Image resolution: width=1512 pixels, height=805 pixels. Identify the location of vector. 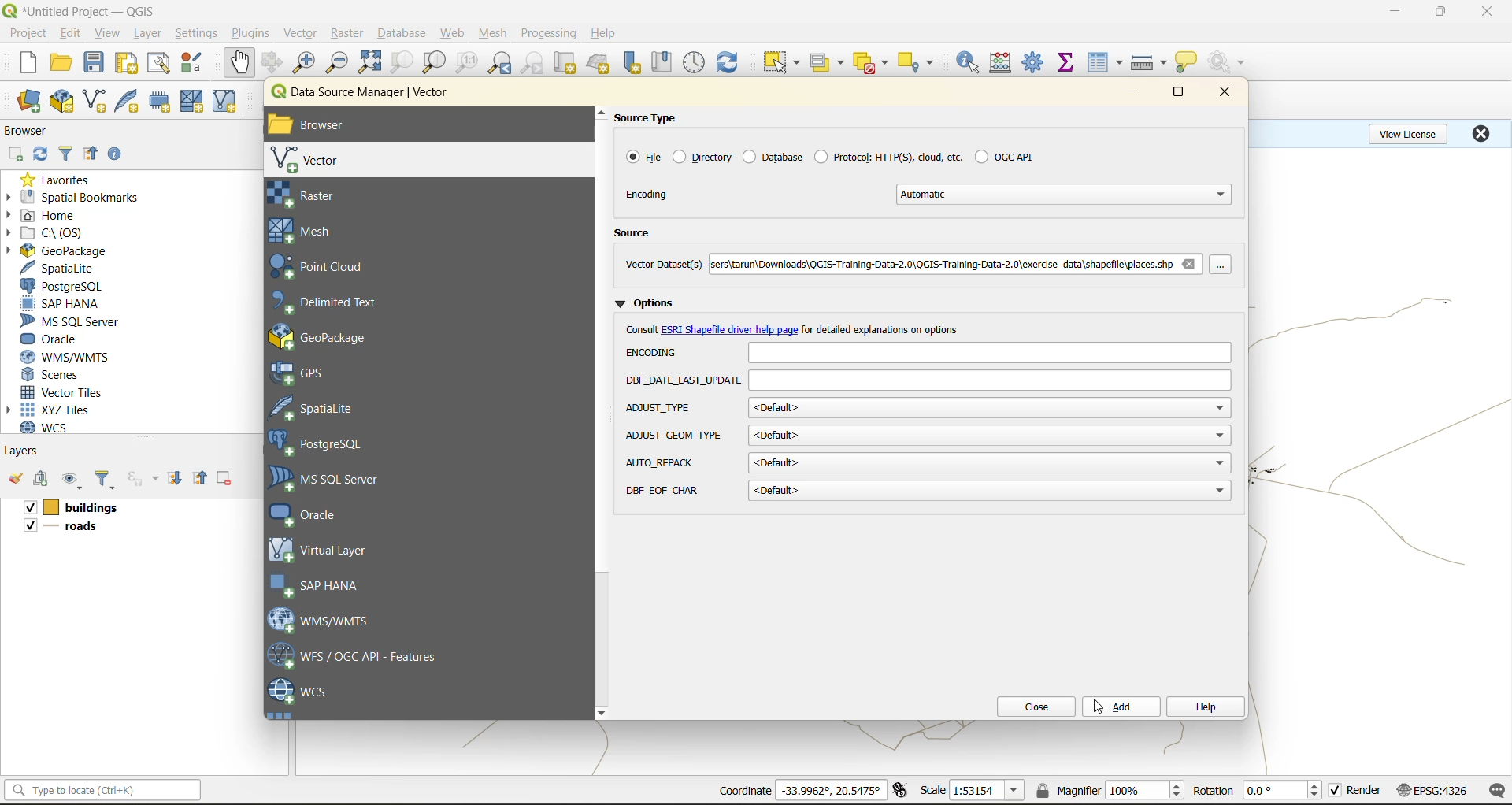
(302, 33).